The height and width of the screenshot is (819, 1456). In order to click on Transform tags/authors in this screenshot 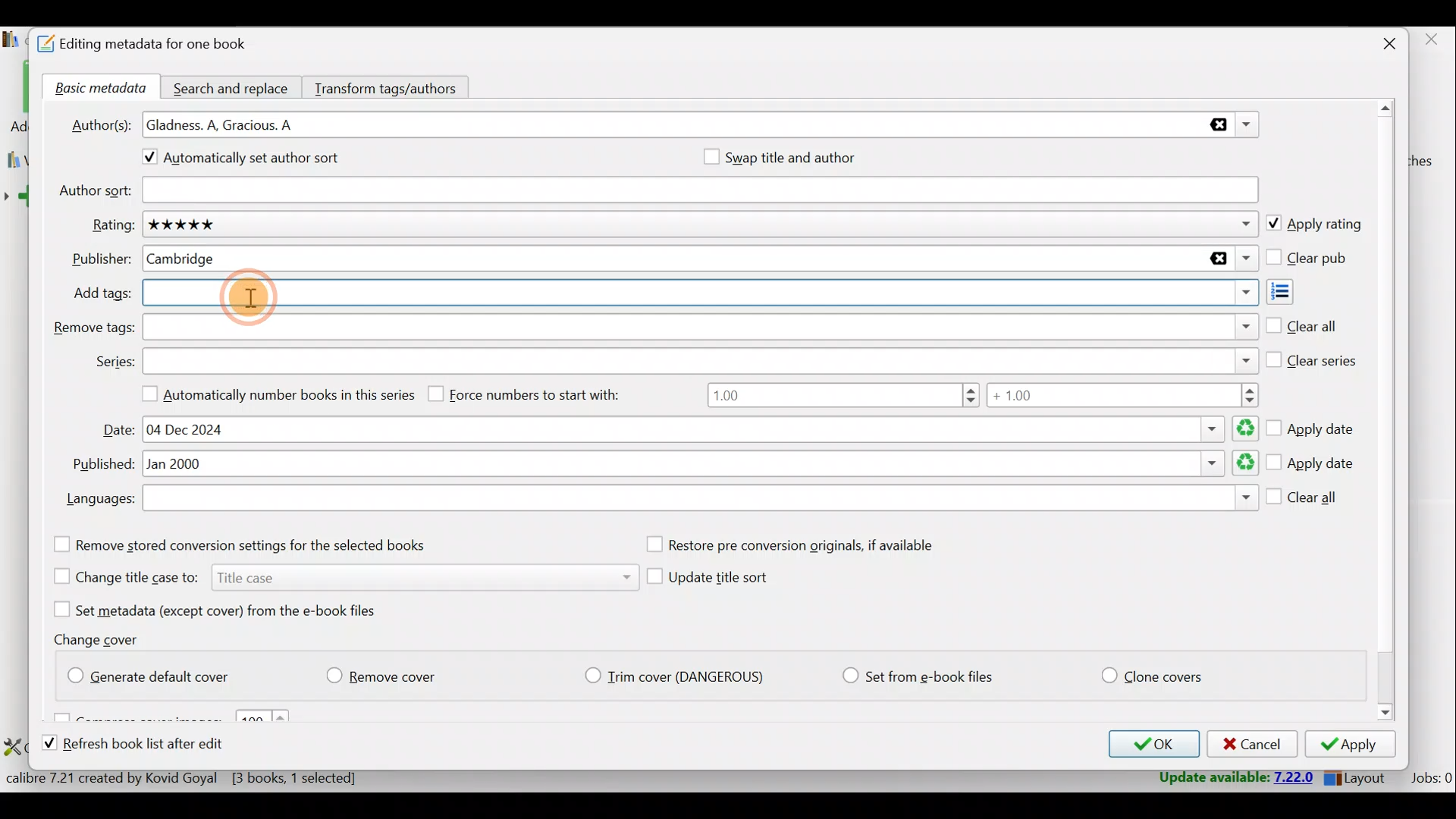, I will do `click(392, 86)`.